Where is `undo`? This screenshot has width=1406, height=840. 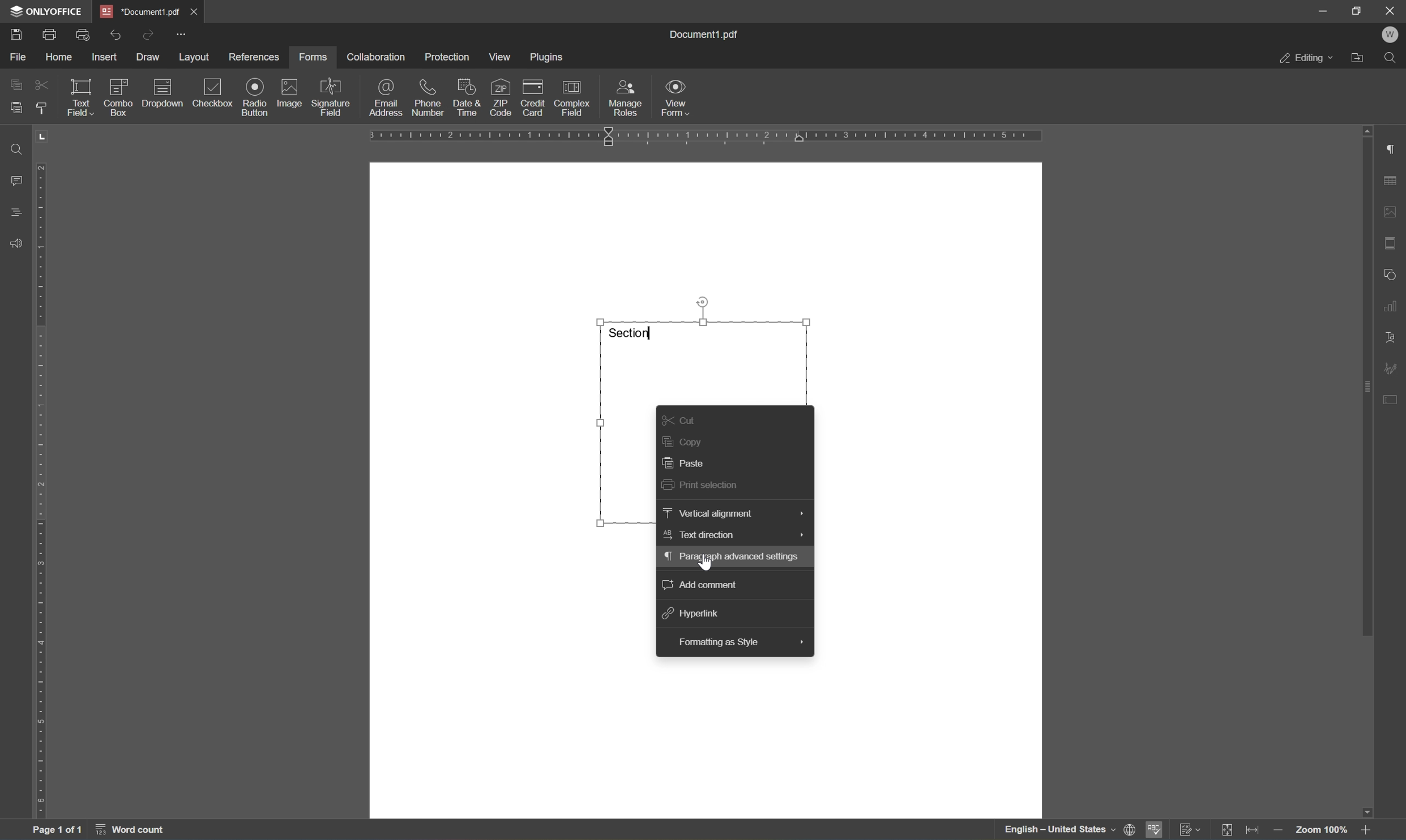 undo is located at coordinates (117, 33).